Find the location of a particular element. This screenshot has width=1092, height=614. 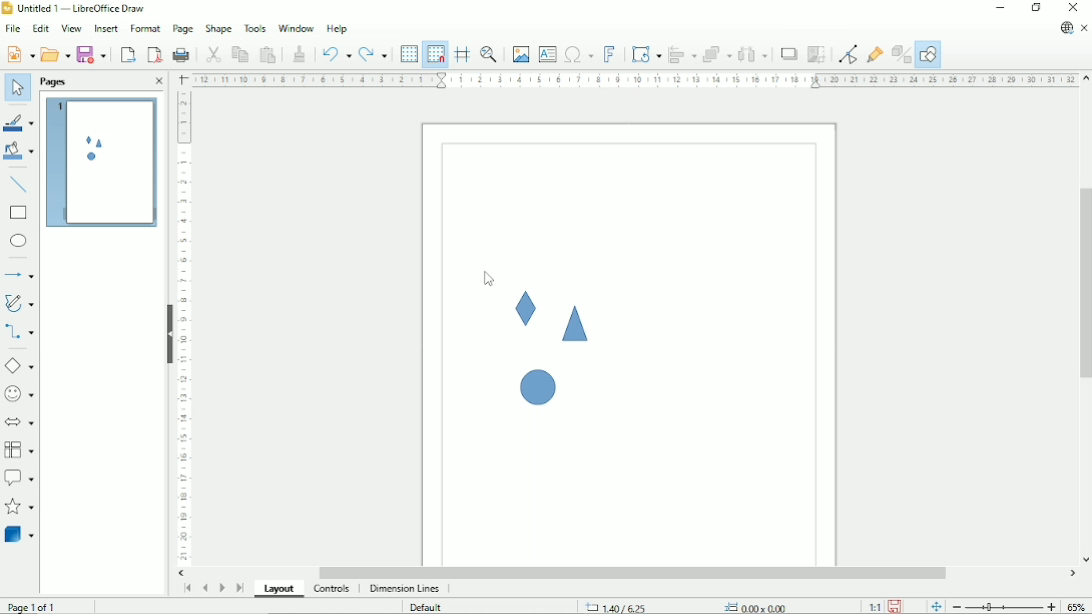

Vertical scrollbar is located at coordinates (1083, 282).